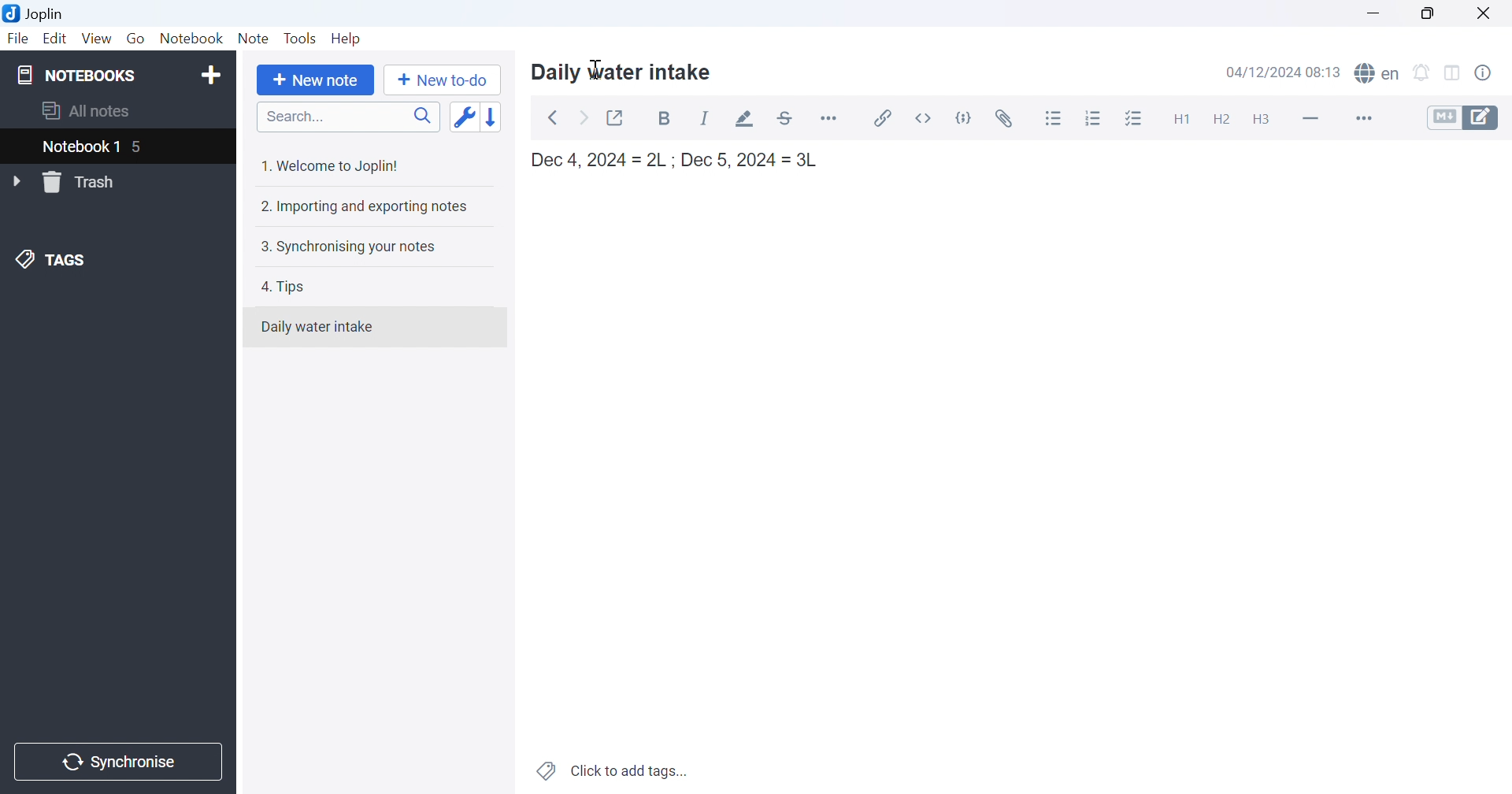 Image resolution: width=1512 pixels, height=794 pixels. Describe the element at coordinates (290, 286) in the screenshot. I see `4. Tips` at that location.